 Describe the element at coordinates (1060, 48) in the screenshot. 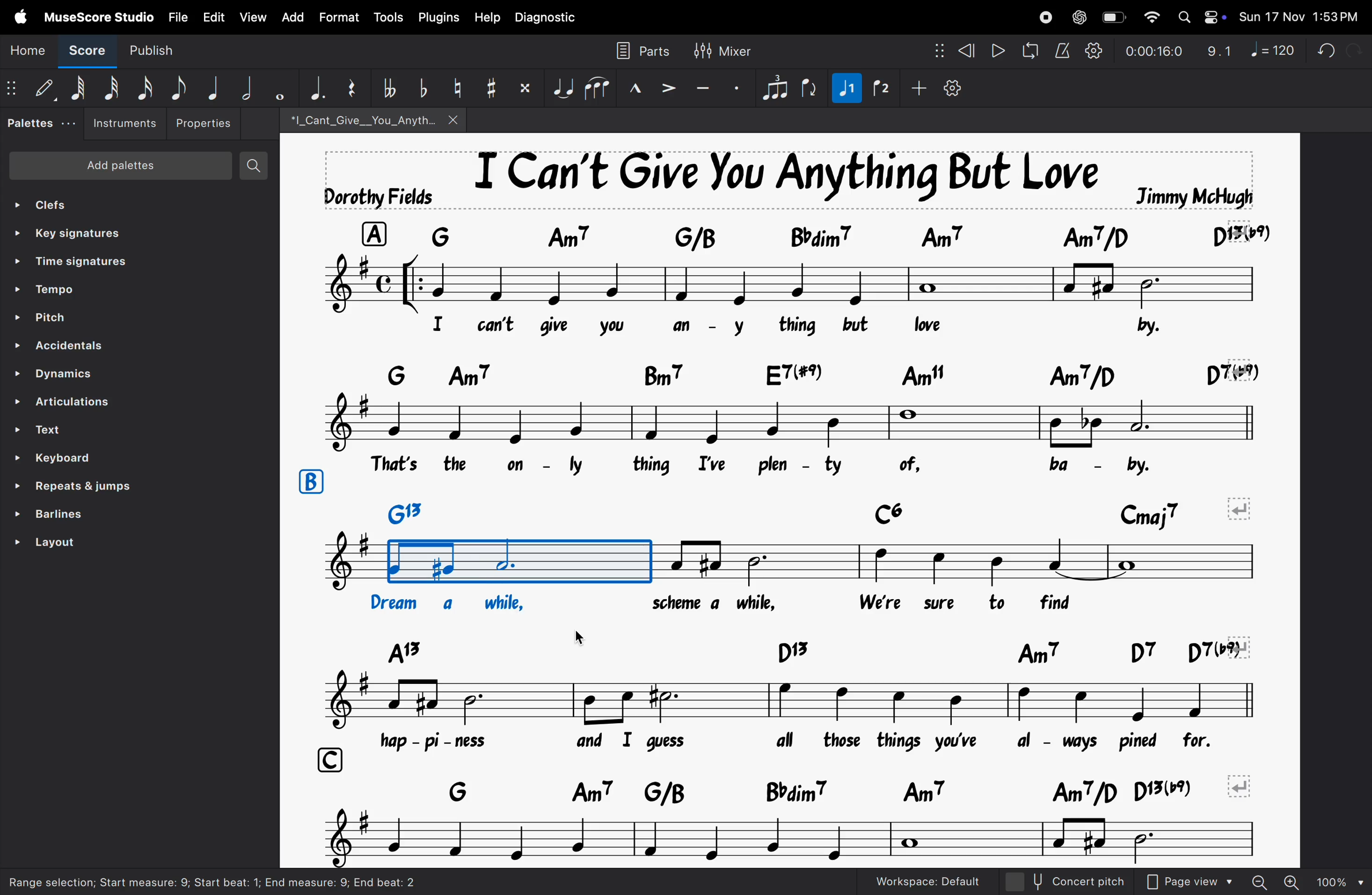

I see `metronome` at that location.